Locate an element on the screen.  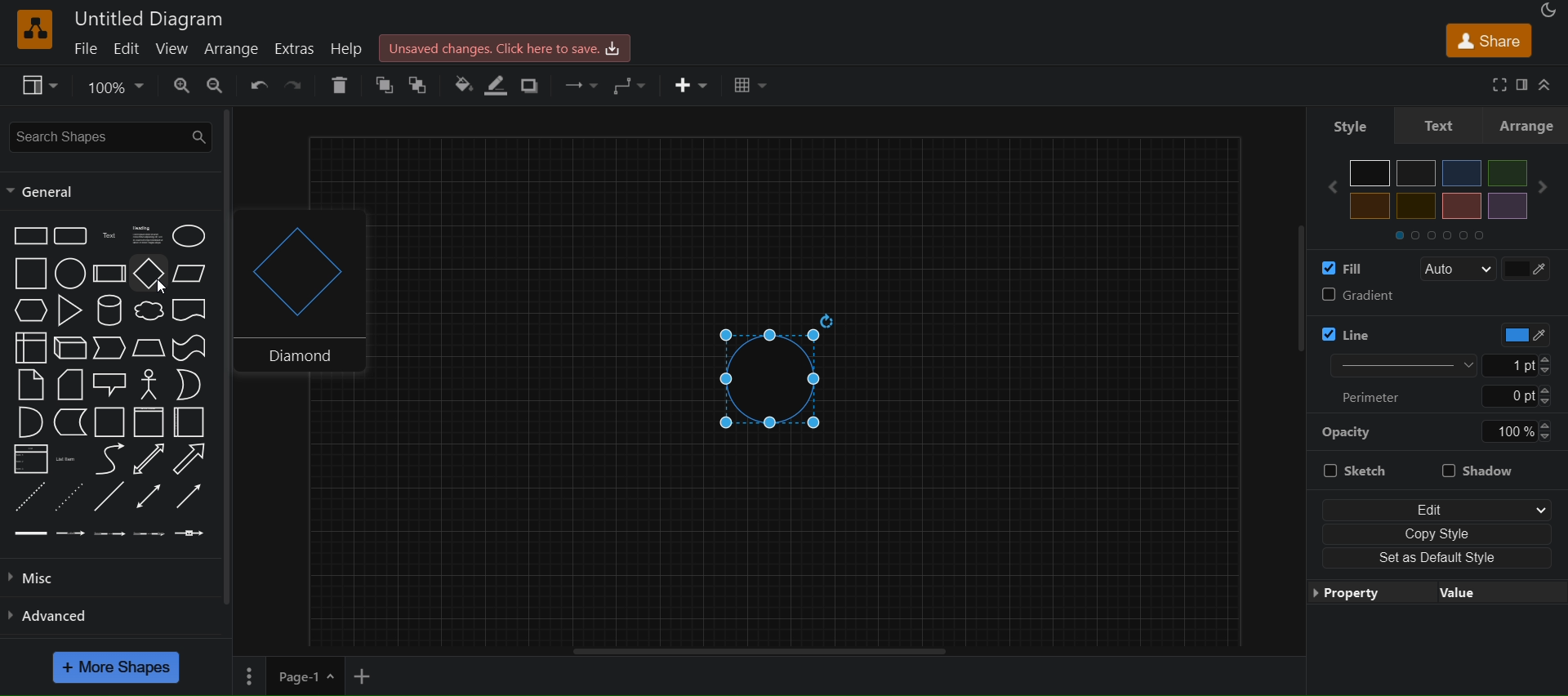
file is located at coordinates (88, 47).